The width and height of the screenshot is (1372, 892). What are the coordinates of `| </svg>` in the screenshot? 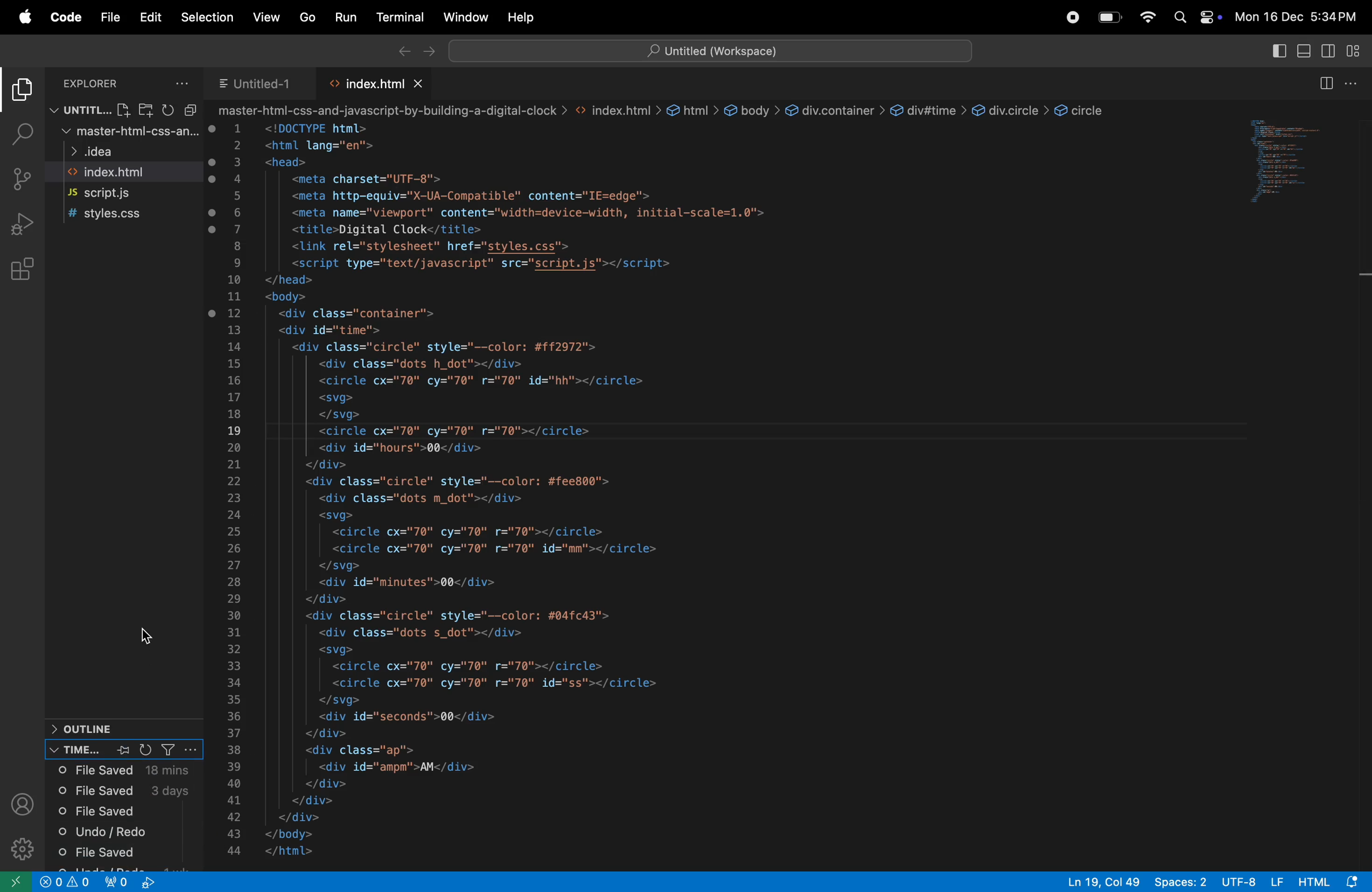 It's located at (337, 415).